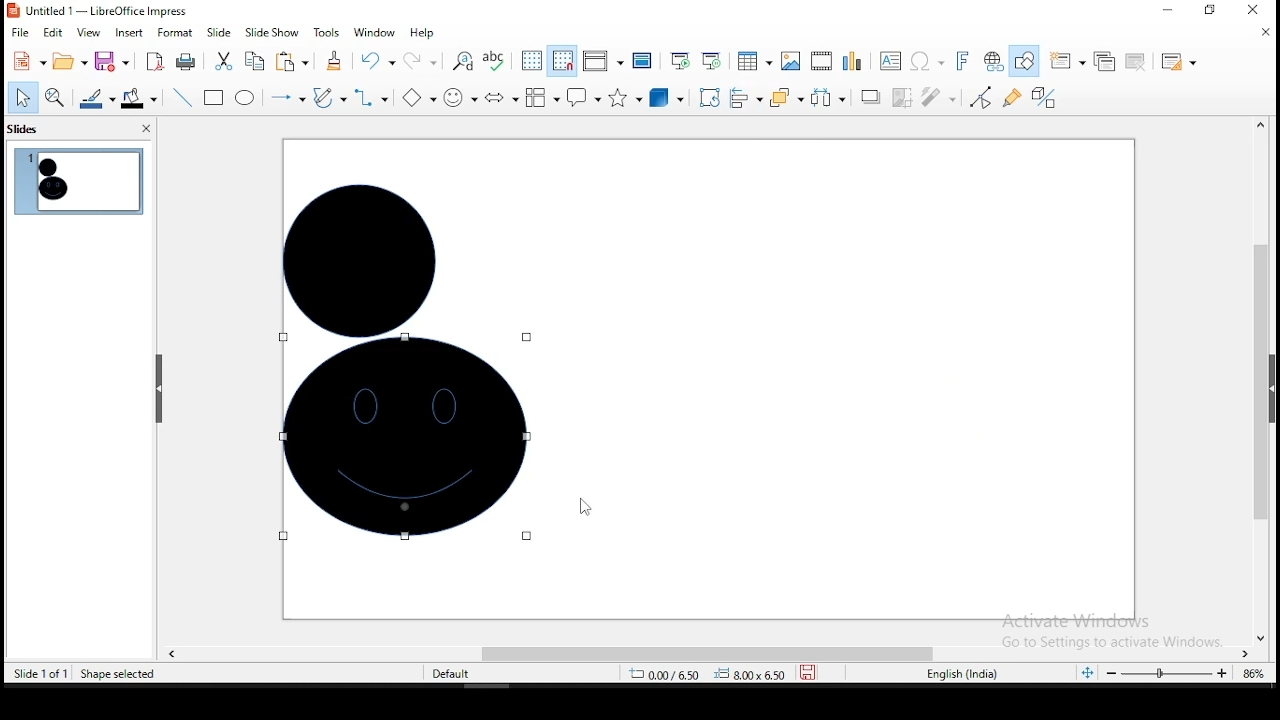  What do you see at coordinates (24, 131) in the screenshot?
I see `slides` at bounding box center [24, 131].